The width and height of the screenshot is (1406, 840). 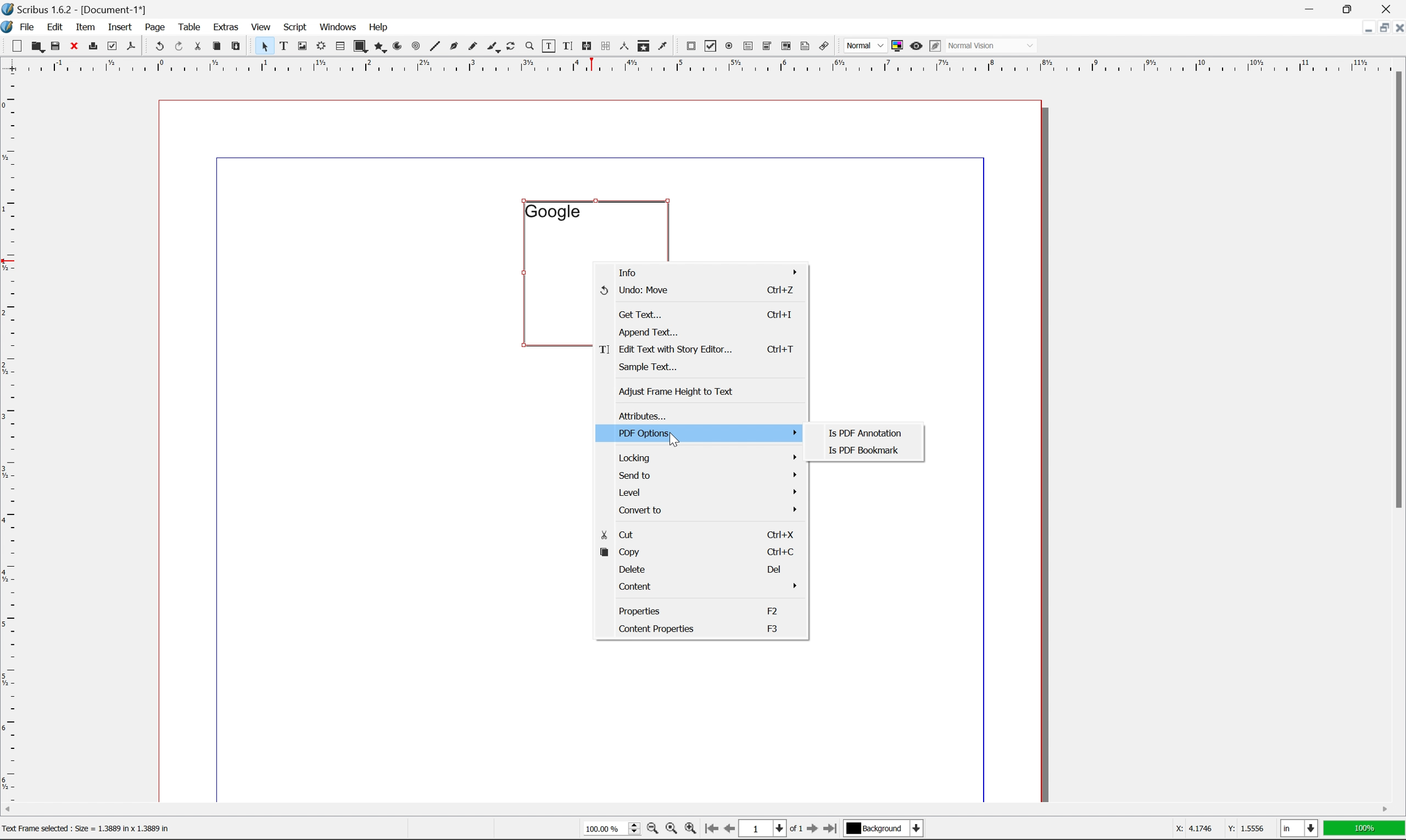 I want to click on ctrl+c, so click(x=778, y=552).